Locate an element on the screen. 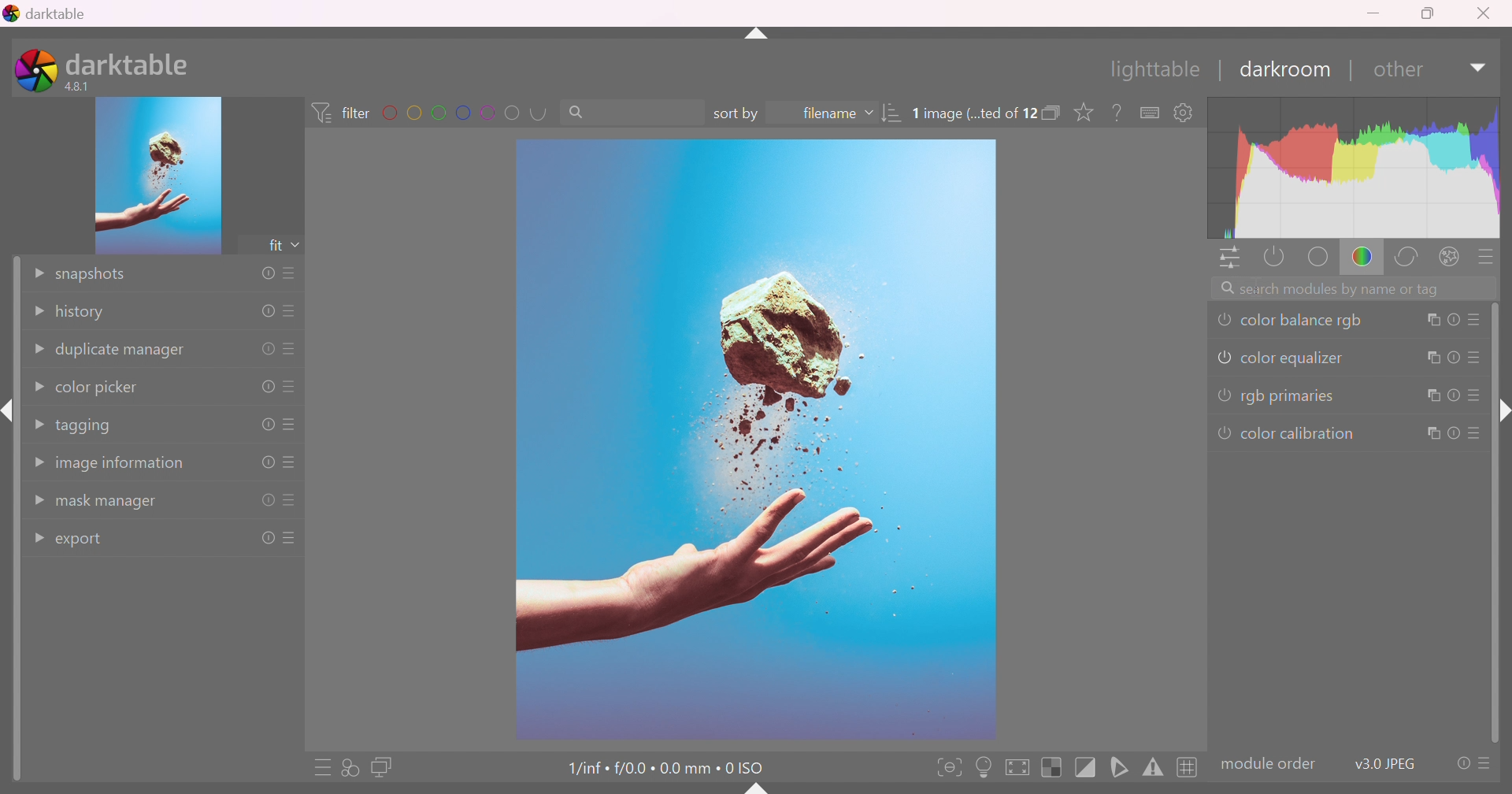 This screenshot has width=1512, height=794. quick access panel is located at coordinates (1230, 256).